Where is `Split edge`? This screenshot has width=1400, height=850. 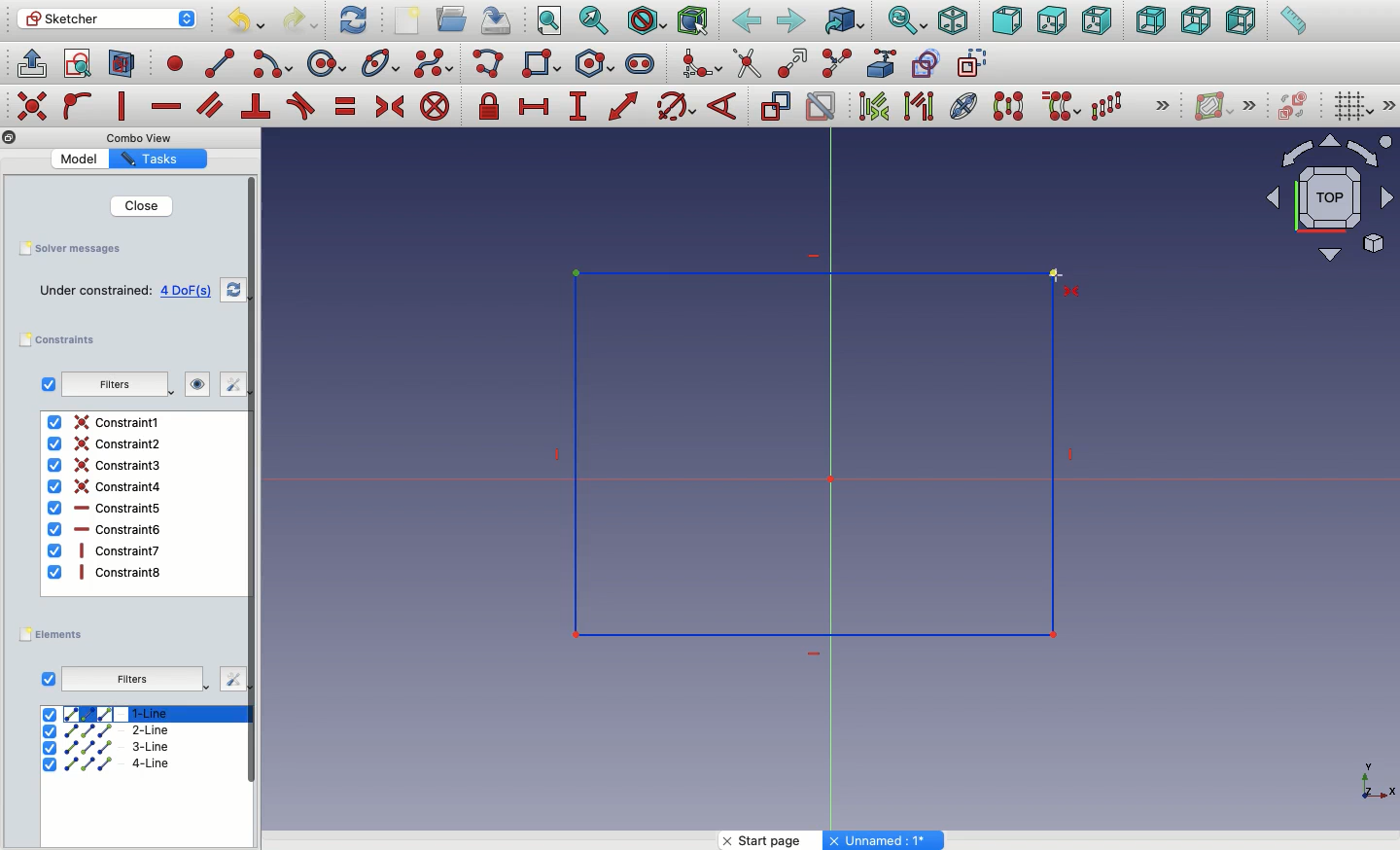
Split edge is located at coordinates (836, 64).